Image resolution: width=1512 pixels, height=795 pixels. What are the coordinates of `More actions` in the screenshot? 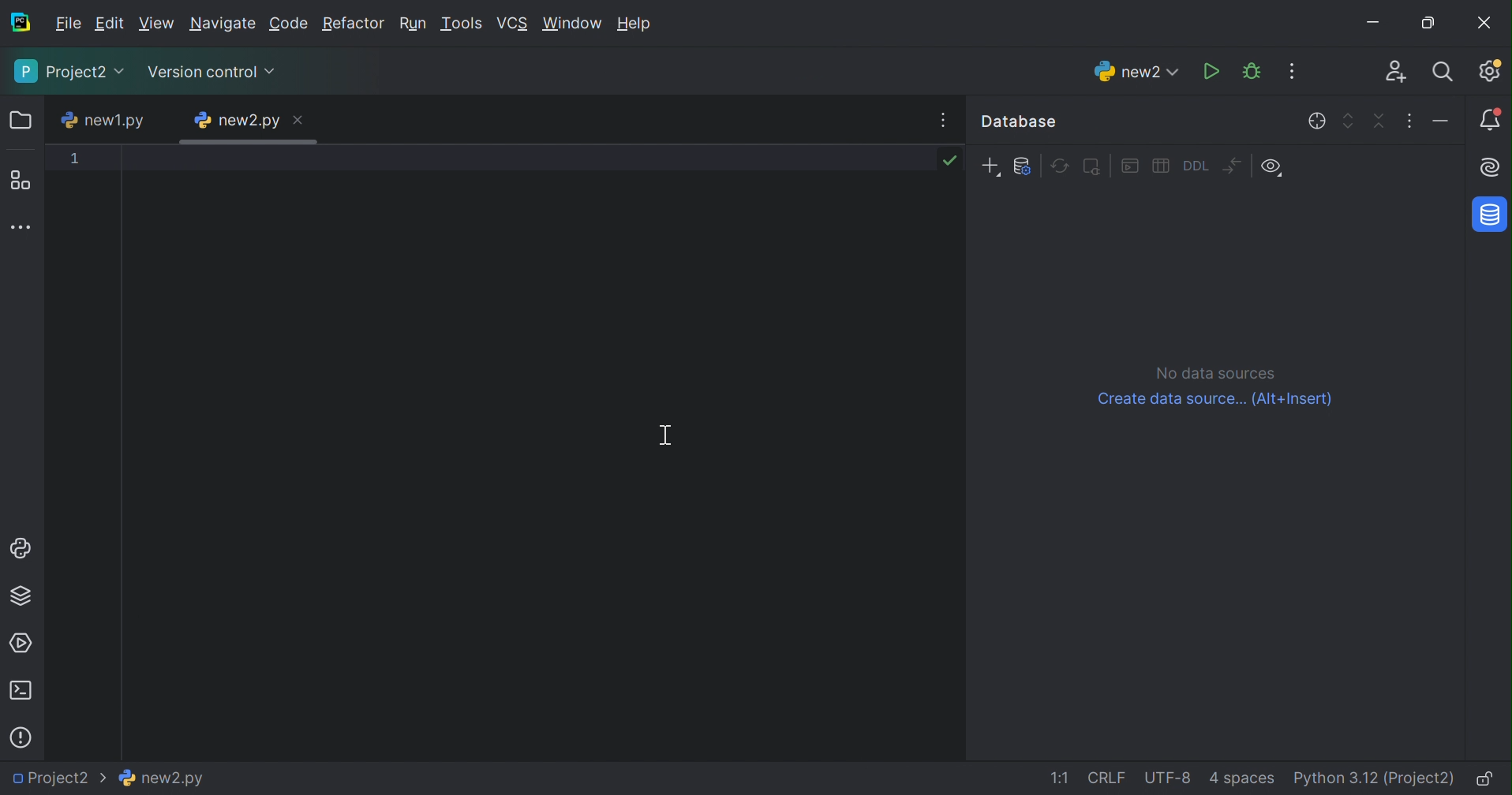 It's located at (1286, 72).